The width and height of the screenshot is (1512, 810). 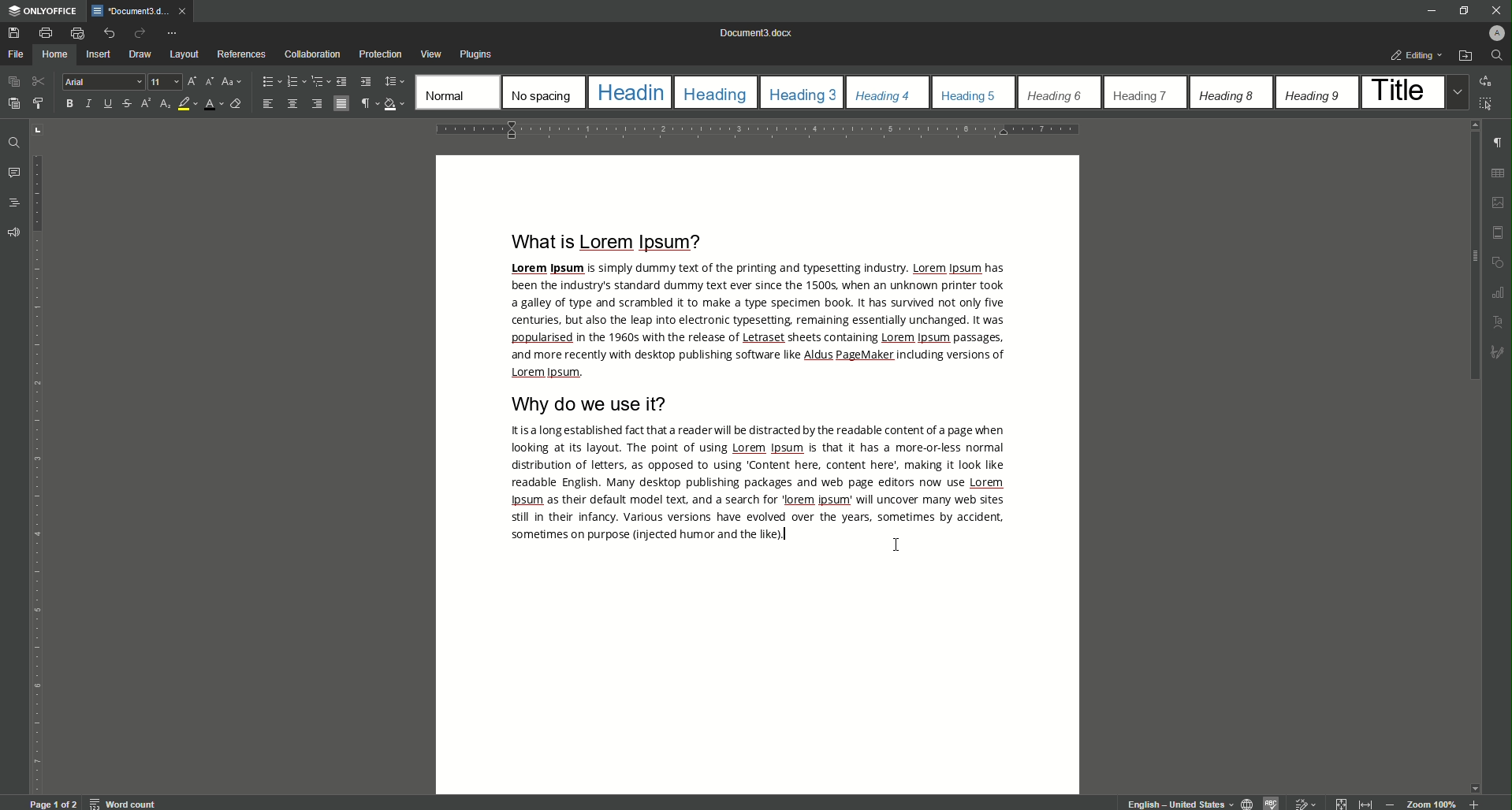 I want to click on Close, so click(x=1494, y=10).